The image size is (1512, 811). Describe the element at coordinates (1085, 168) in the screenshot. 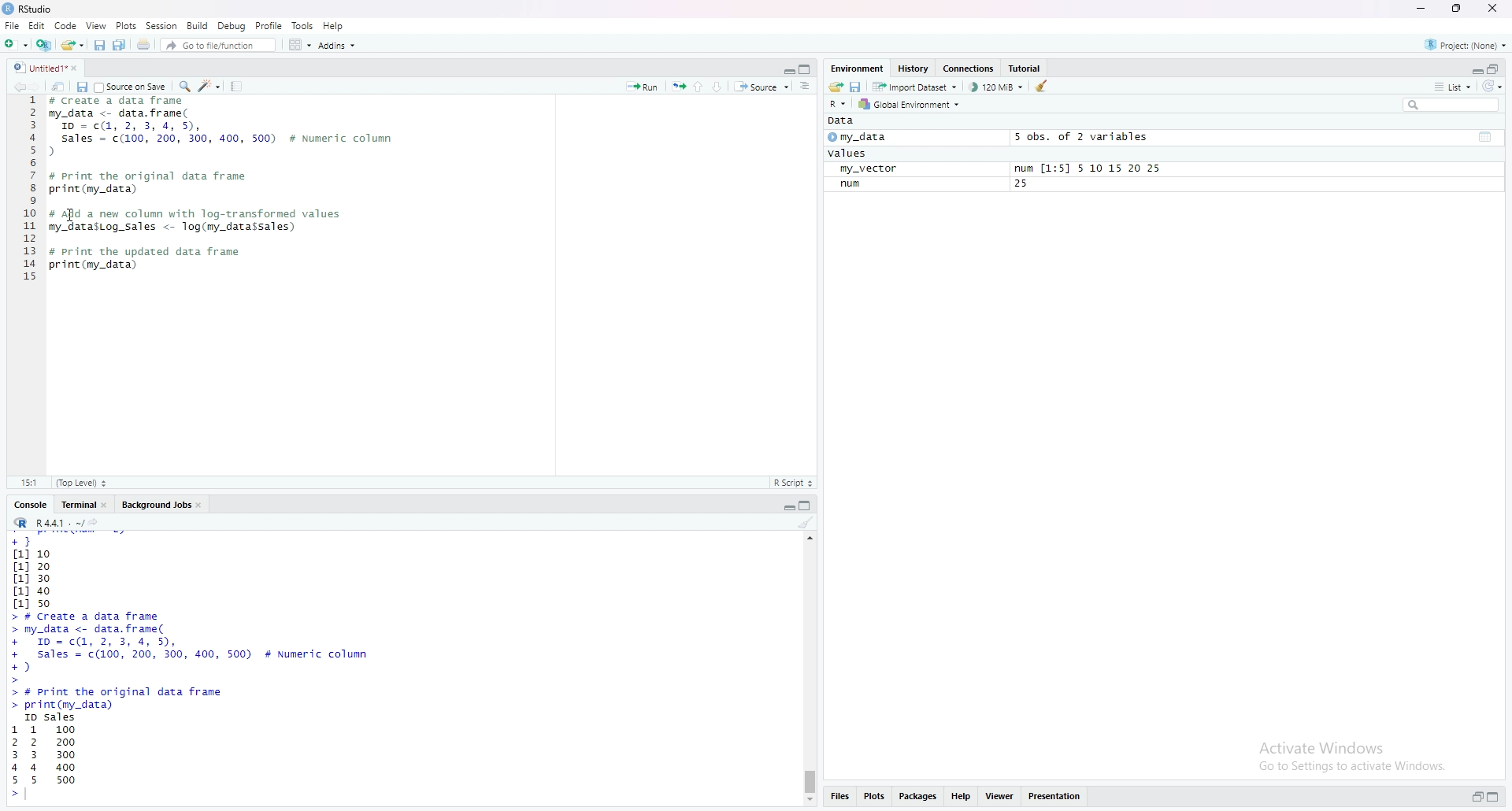

I see `num [1:5] 5 10 15 20 25` at that location.